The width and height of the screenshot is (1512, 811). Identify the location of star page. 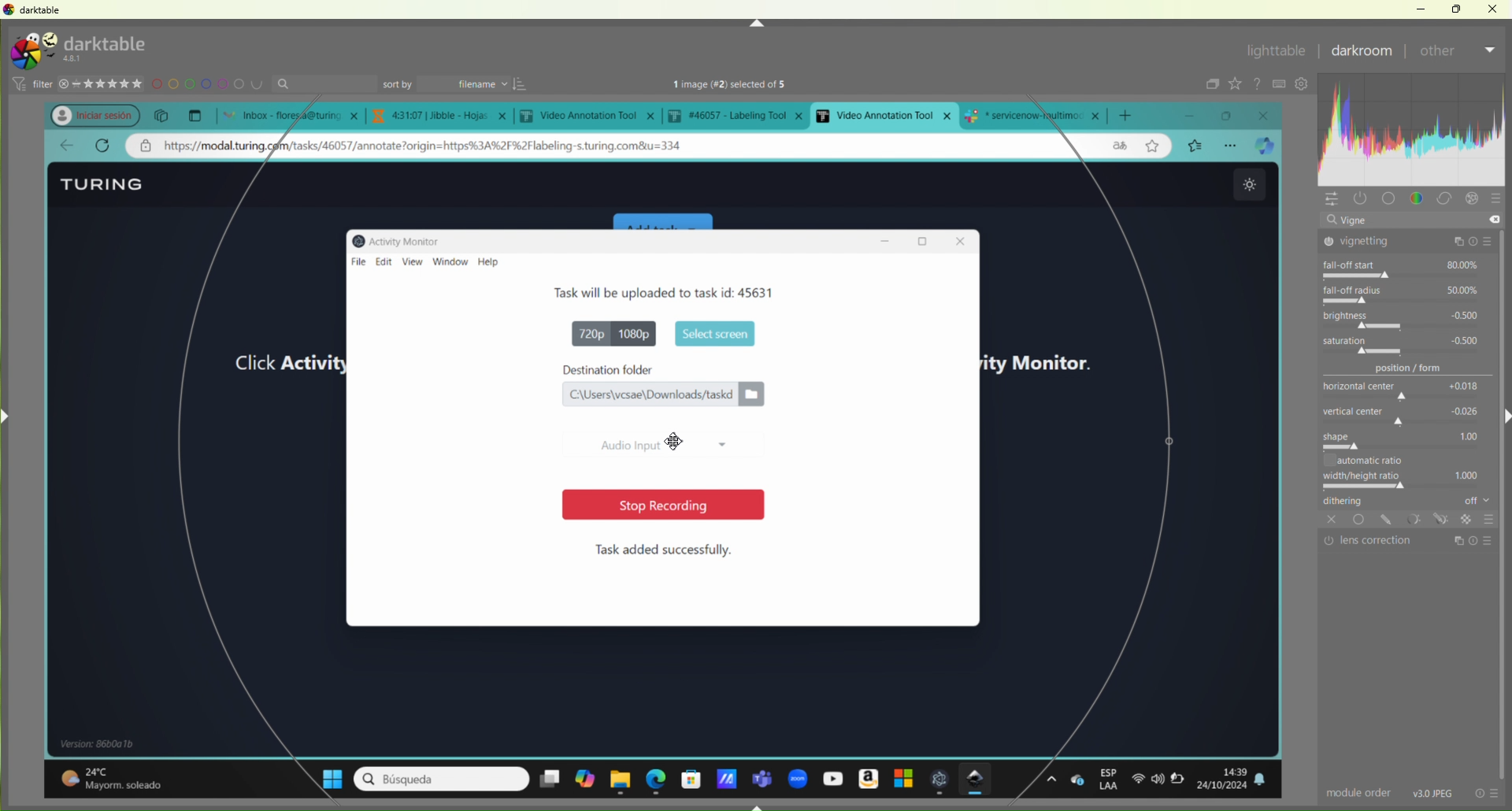
(1151, 148).